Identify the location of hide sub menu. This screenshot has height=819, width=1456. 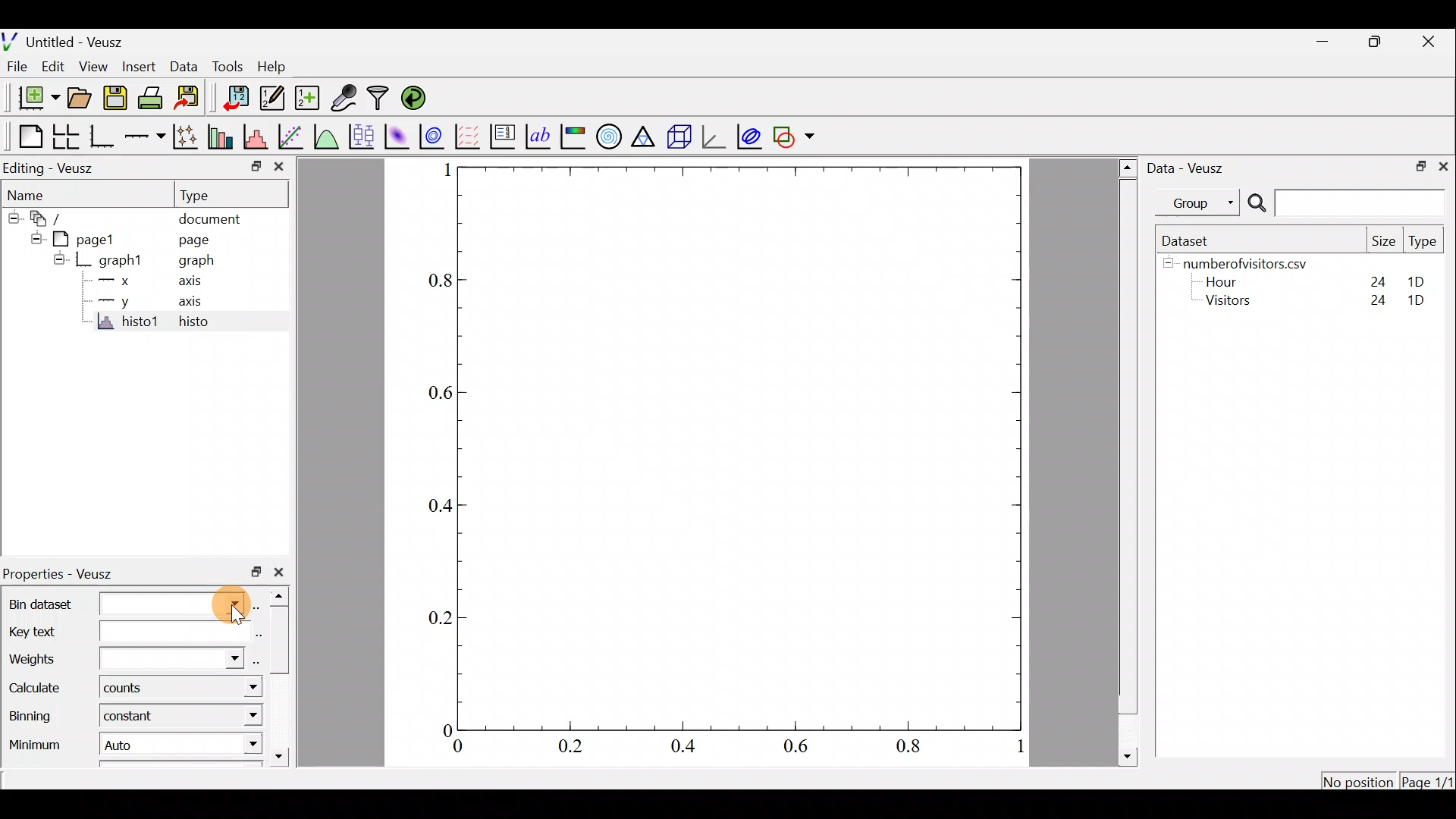
(11, 216).